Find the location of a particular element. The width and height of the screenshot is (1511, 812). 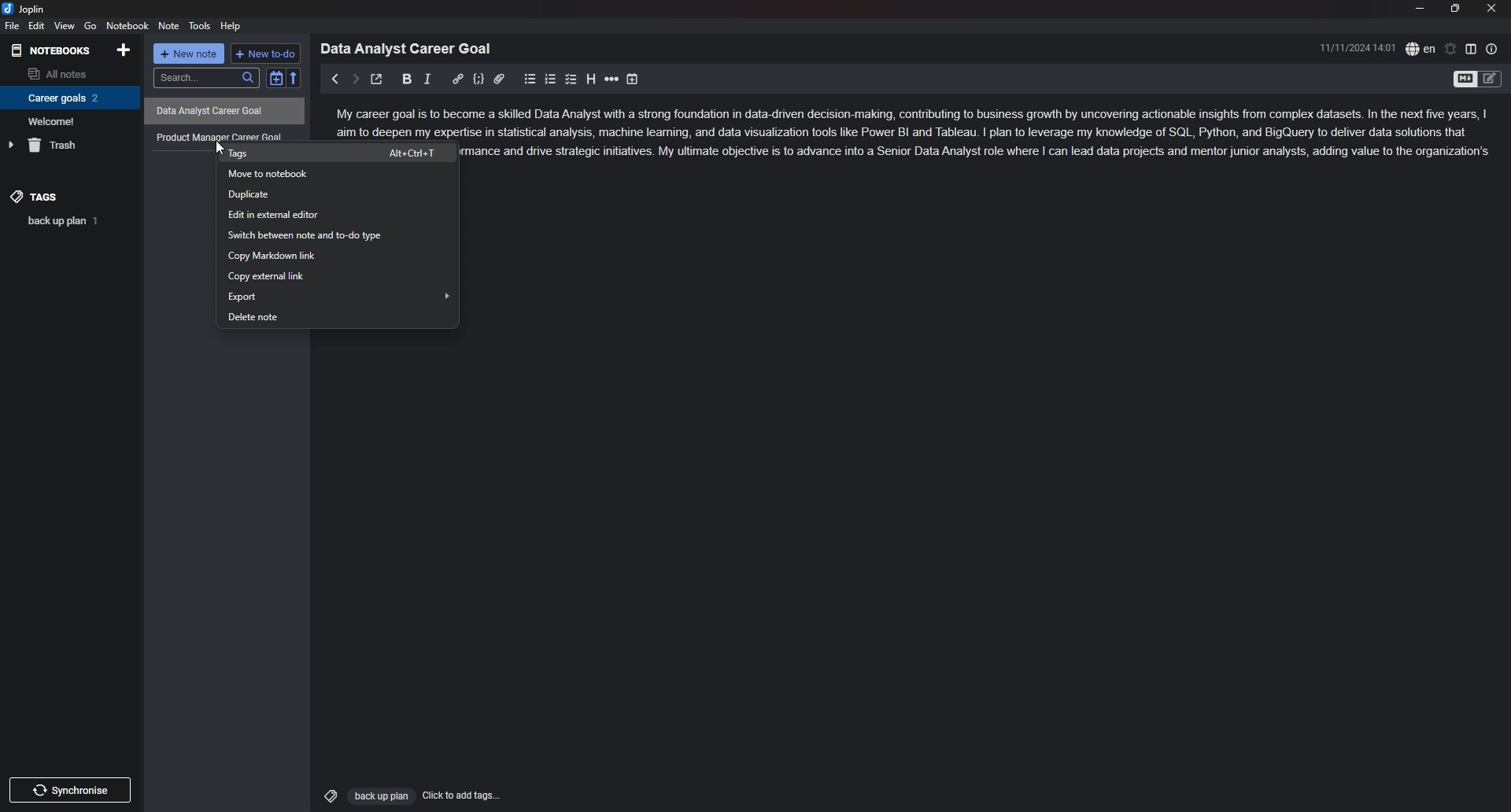

note properties is located at coordinates (1492, 49).